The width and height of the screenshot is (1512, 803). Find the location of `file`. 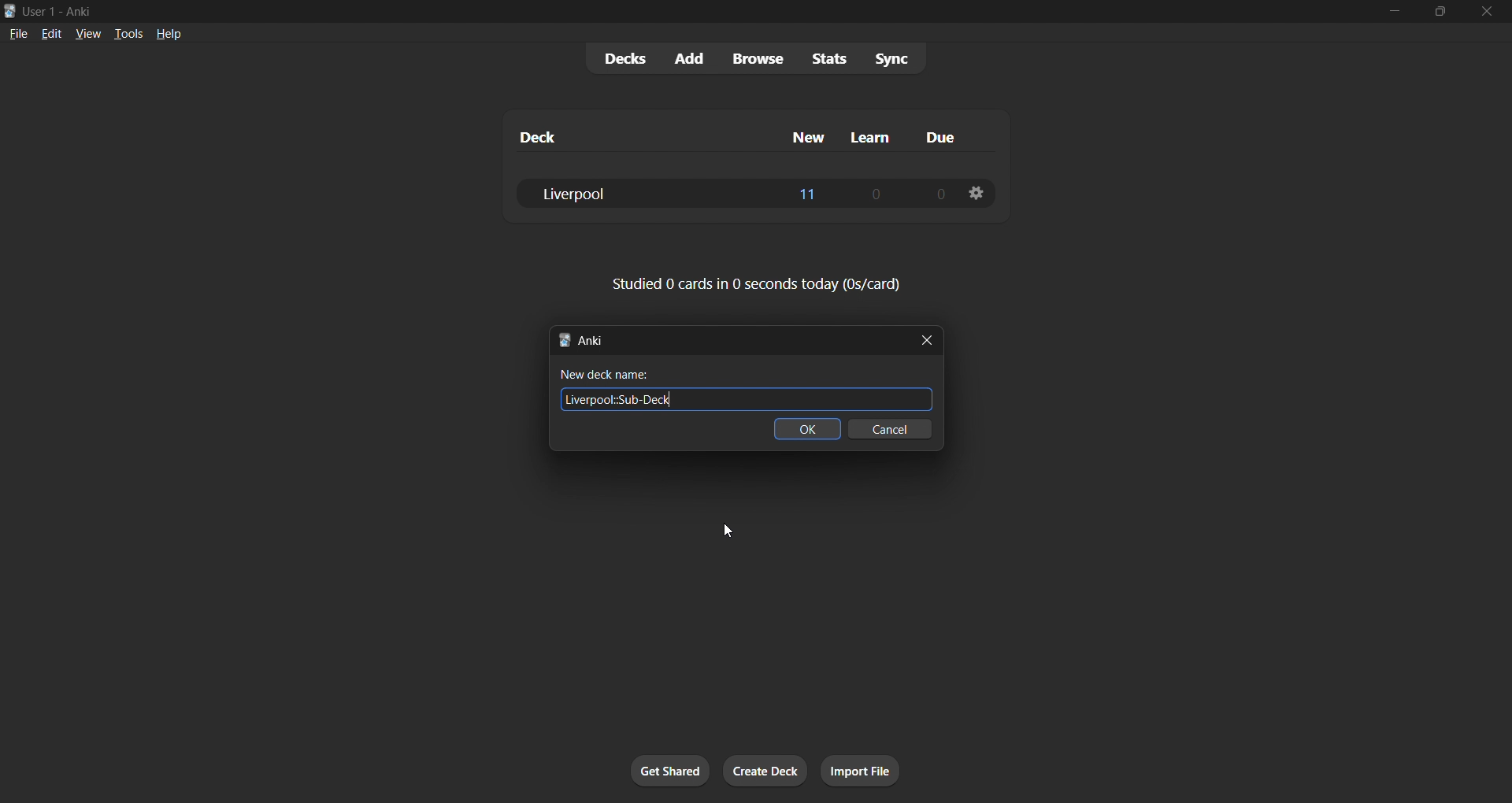

file is located at coordinates (17, 33).